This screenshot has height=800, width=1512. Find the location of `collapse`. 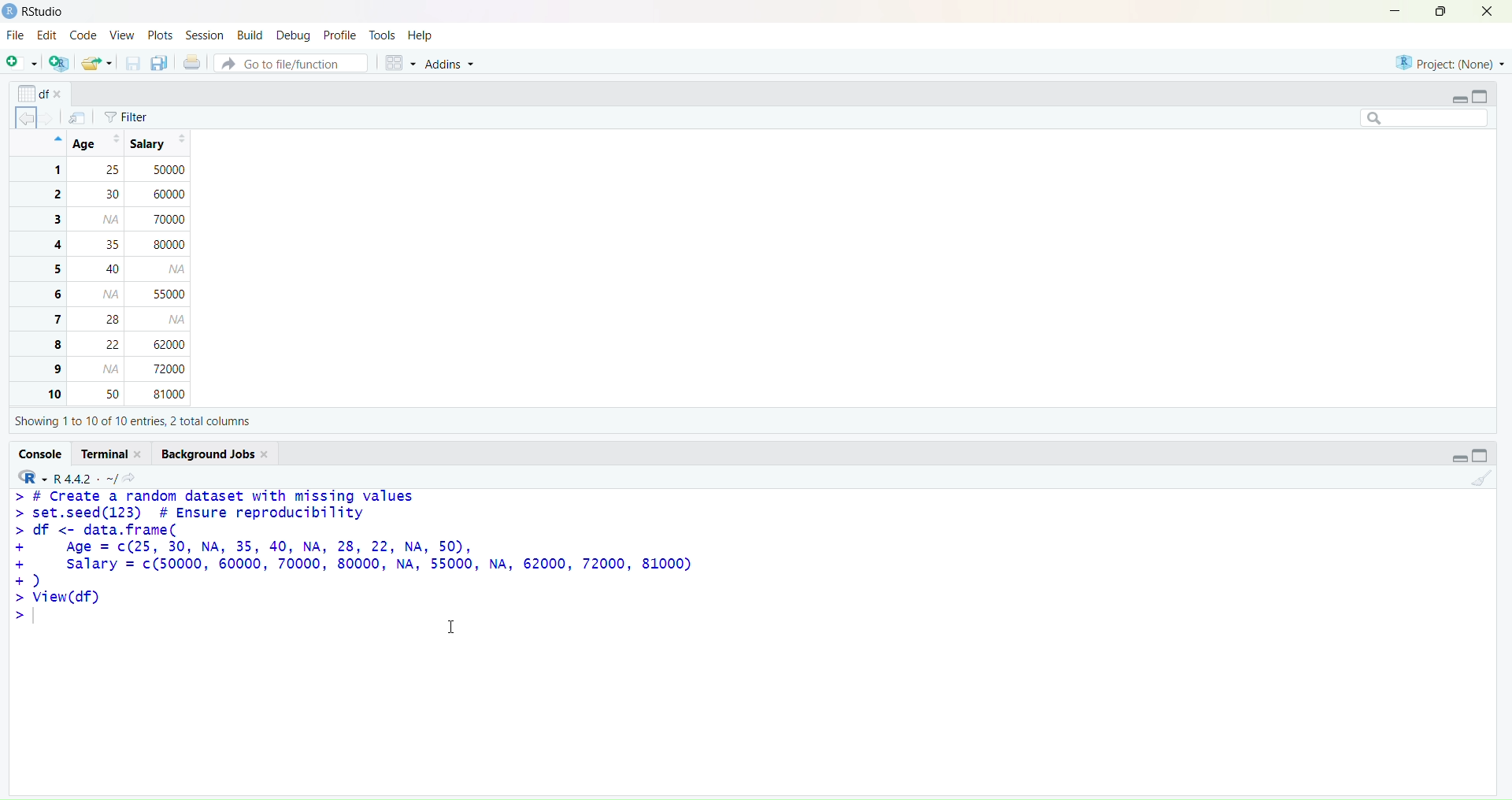

collapse is located at coordinates (1486, 457).